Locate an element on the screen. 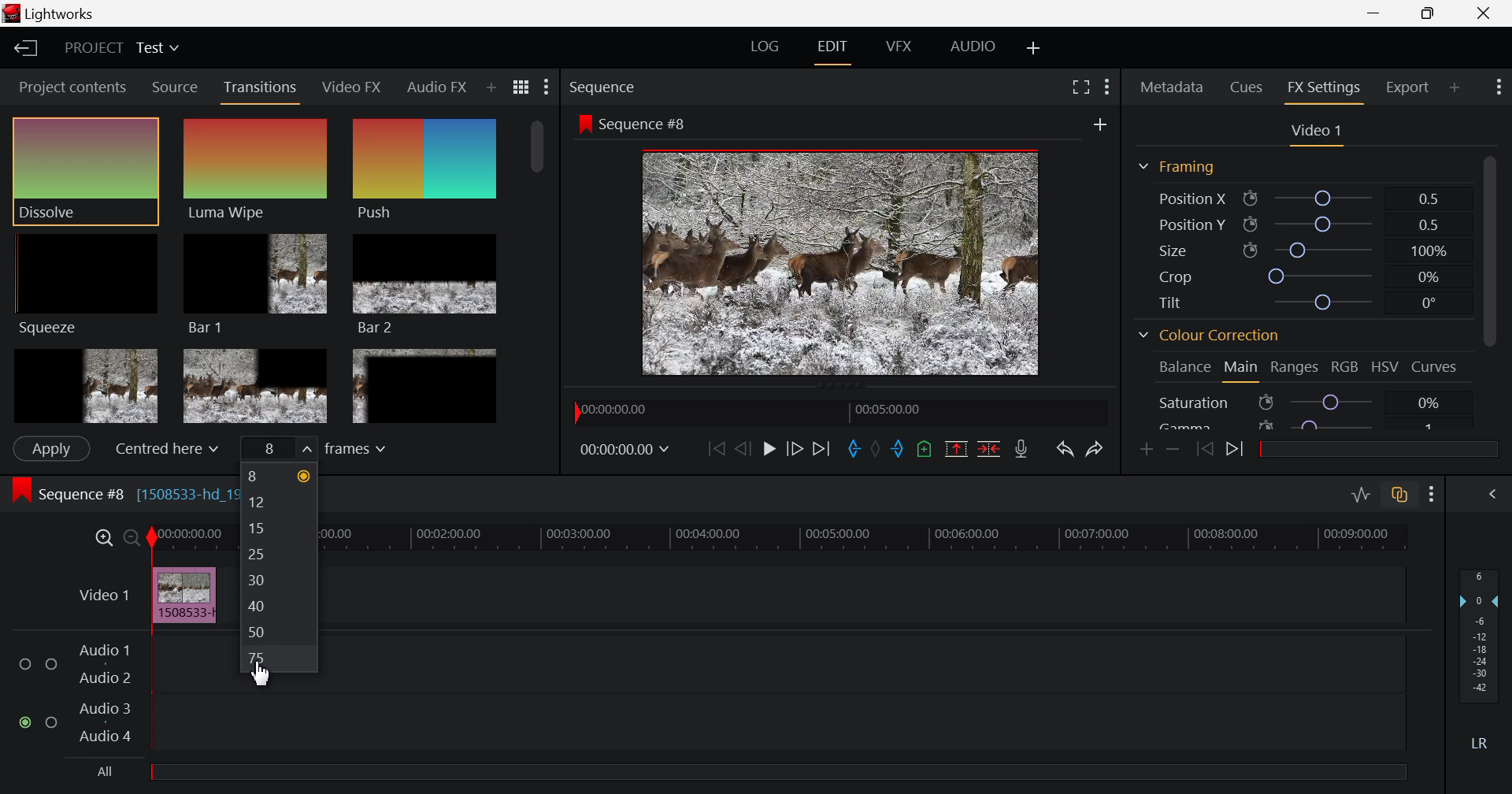 The height and width of the screenshot is (794, 1512). Project Title is located at coordinates (121, 48).